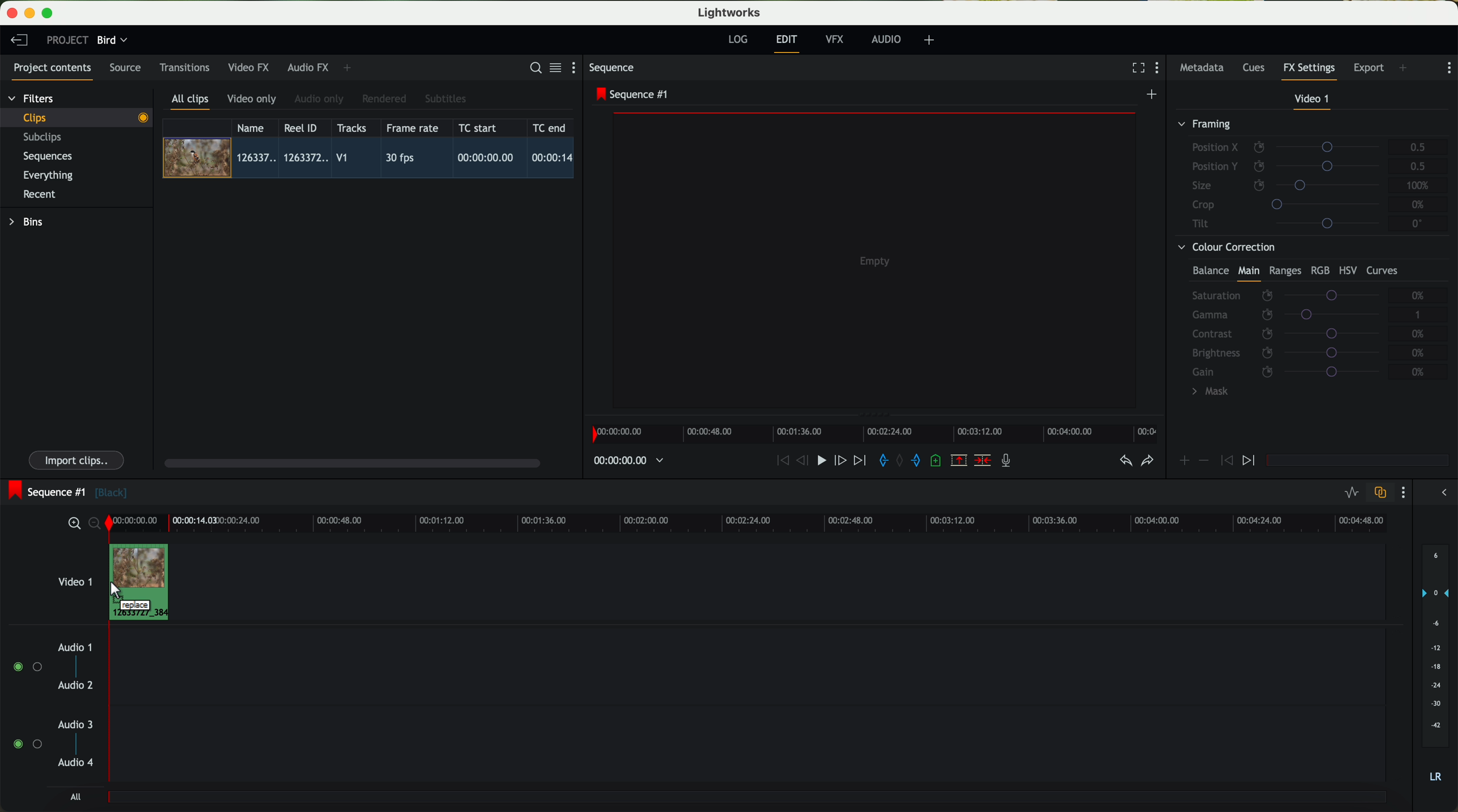 The height and width of the screenshot is (812, 1458). What do you see at coordinates (1436, 667) in the screenshot?
I see `audio output level (d/B)` at bounding box center [1436, 667].